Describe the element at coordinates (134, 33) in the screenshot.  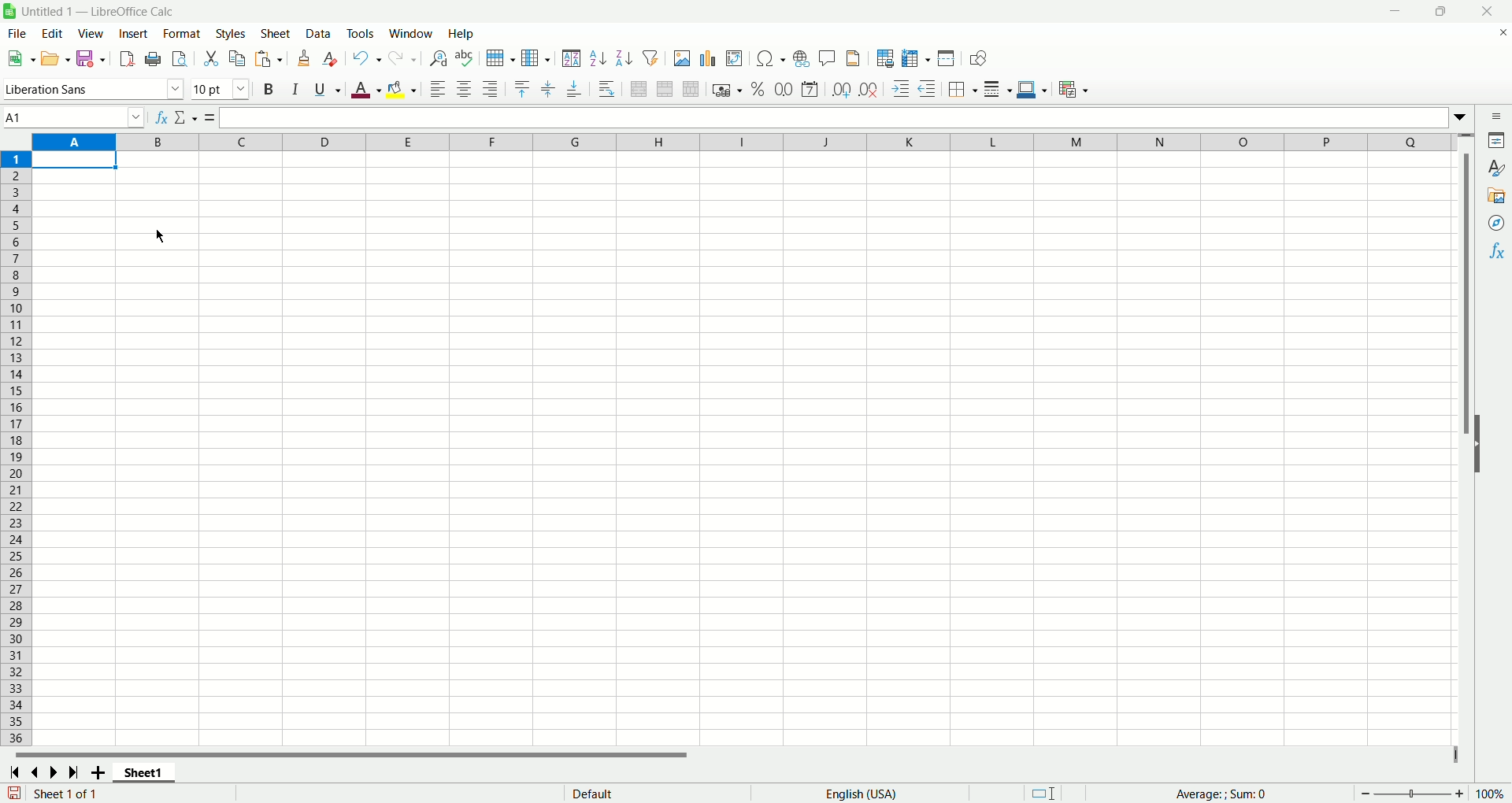
I see `insert` at that location.